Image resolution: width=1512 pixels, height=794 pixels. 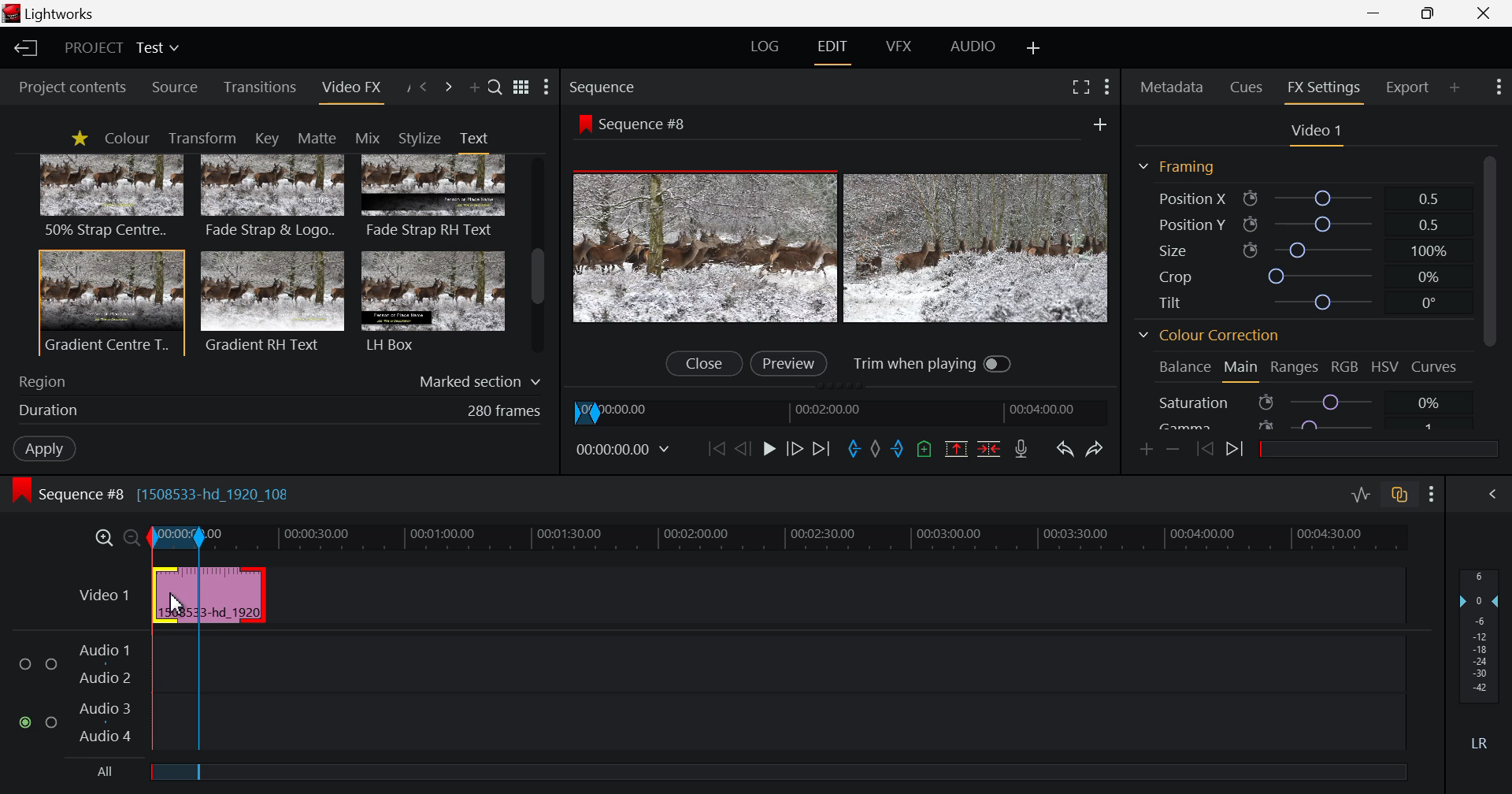 What do you see at coordinates (107, 678) in the screenshot?
I see `audio 2` at bounding box center [107, 678].